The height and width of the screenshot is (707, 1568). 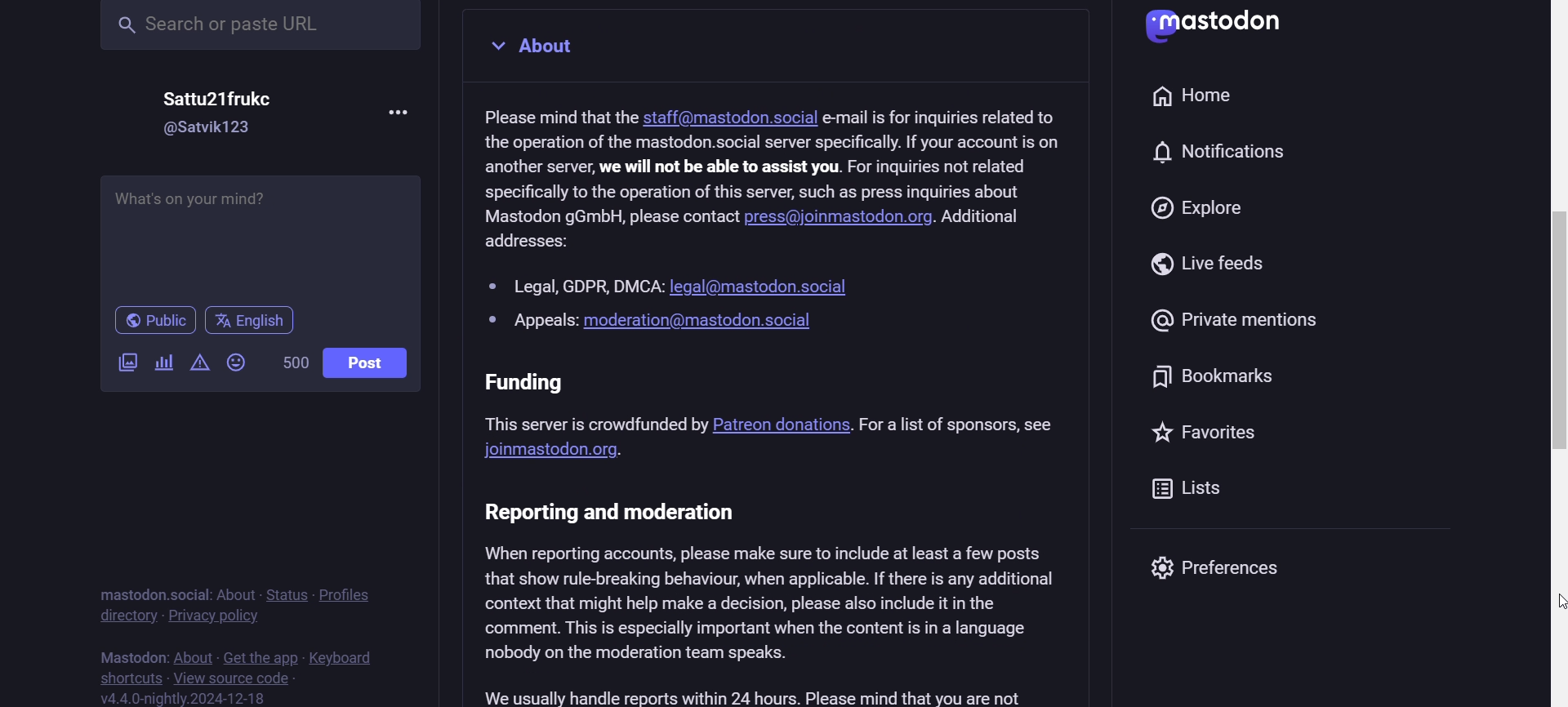 I want to click on post here, so click(x=259, y=233).